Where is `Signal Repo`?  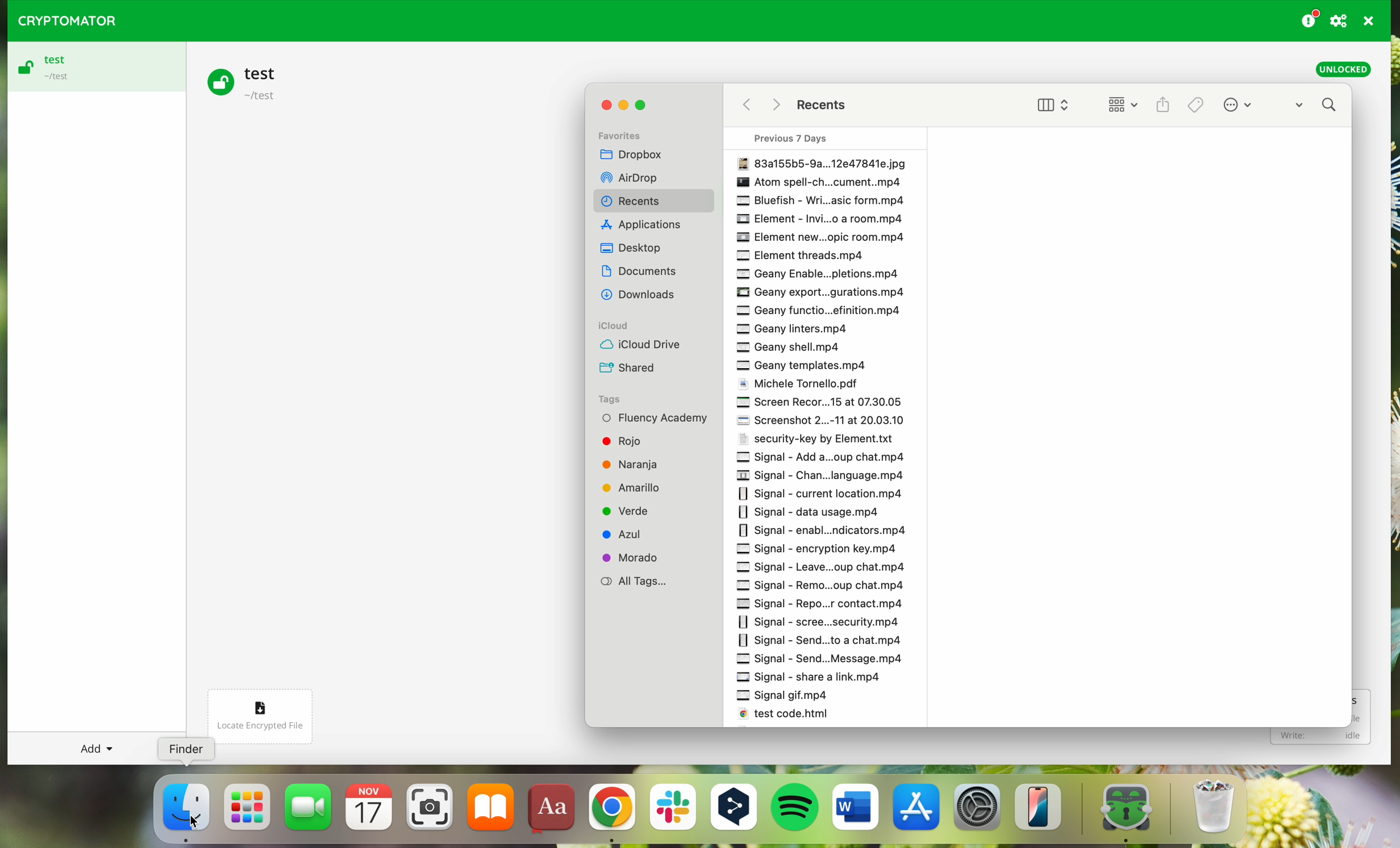
Signal Repo is located at coordinates (824, 604).